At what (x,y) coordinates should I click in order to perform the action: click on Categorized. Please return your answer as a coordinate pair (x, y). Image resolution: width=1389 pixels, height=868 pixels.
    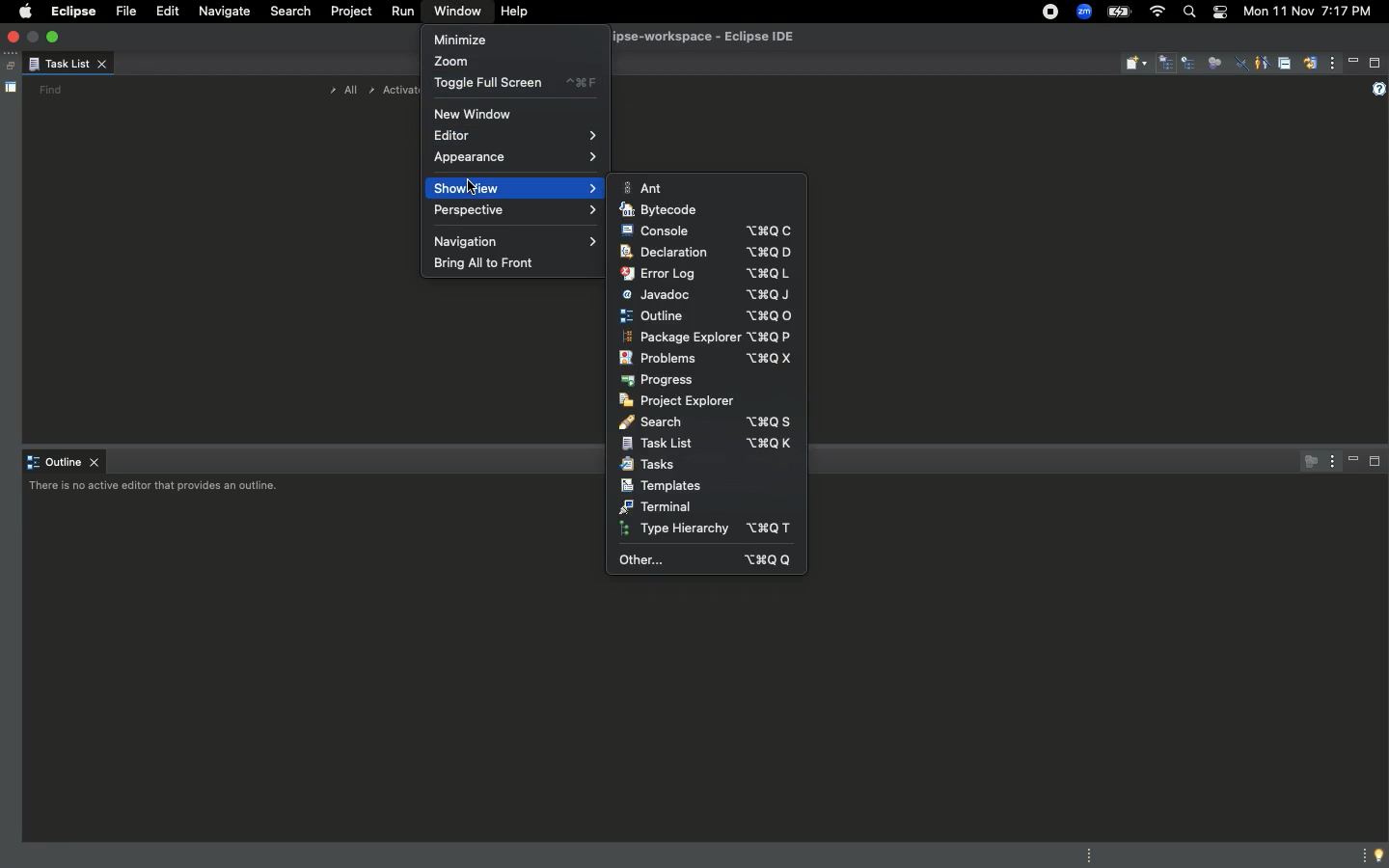
    Looking at the image, I should click on (1167, 65).